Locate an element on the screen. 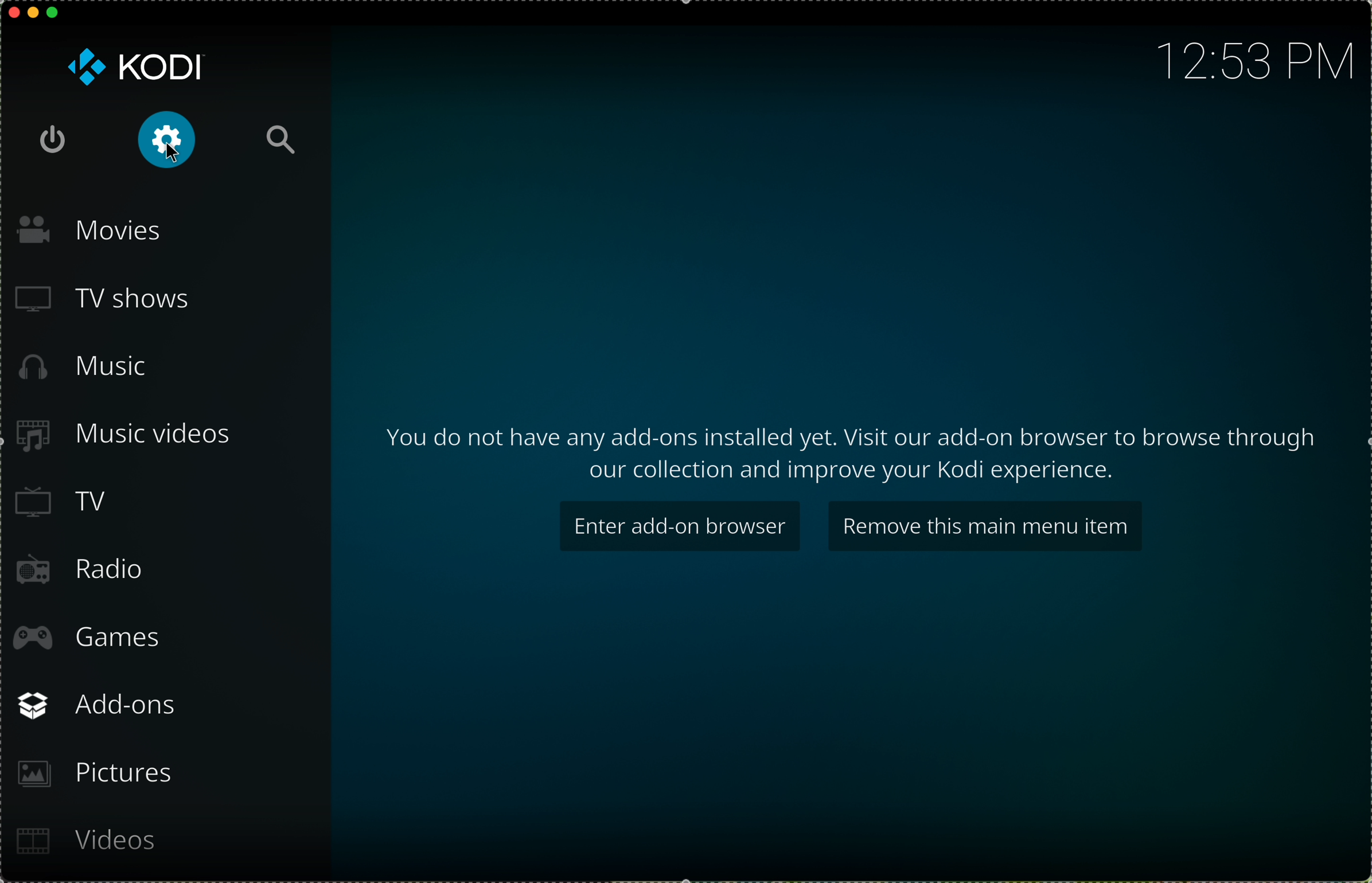 This screenshot has height=883, width=1372. TV is located at coordinates (63, 502).